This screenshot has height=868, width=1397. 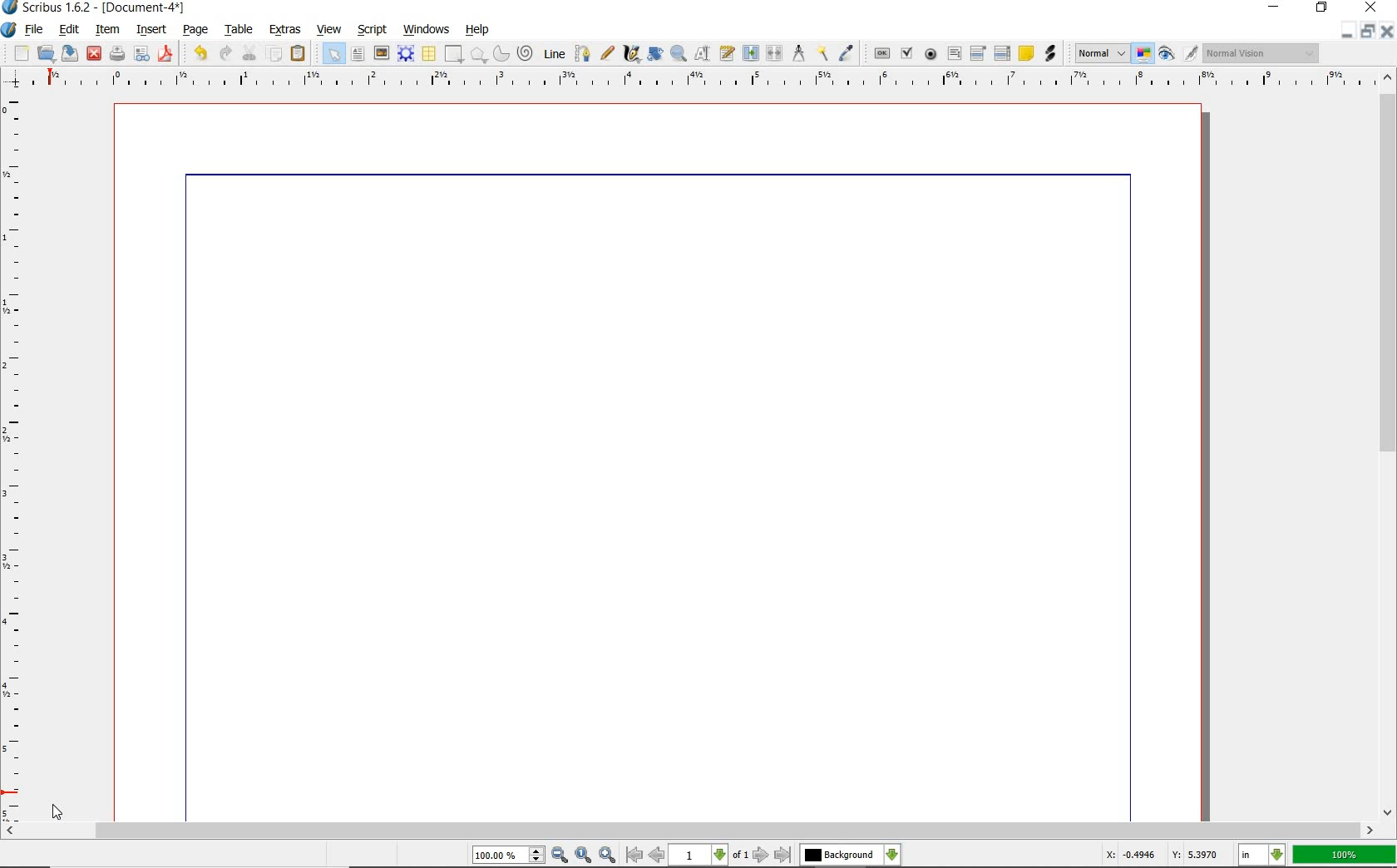 I want to click on pdf list box, so click(x=1001, y=55).